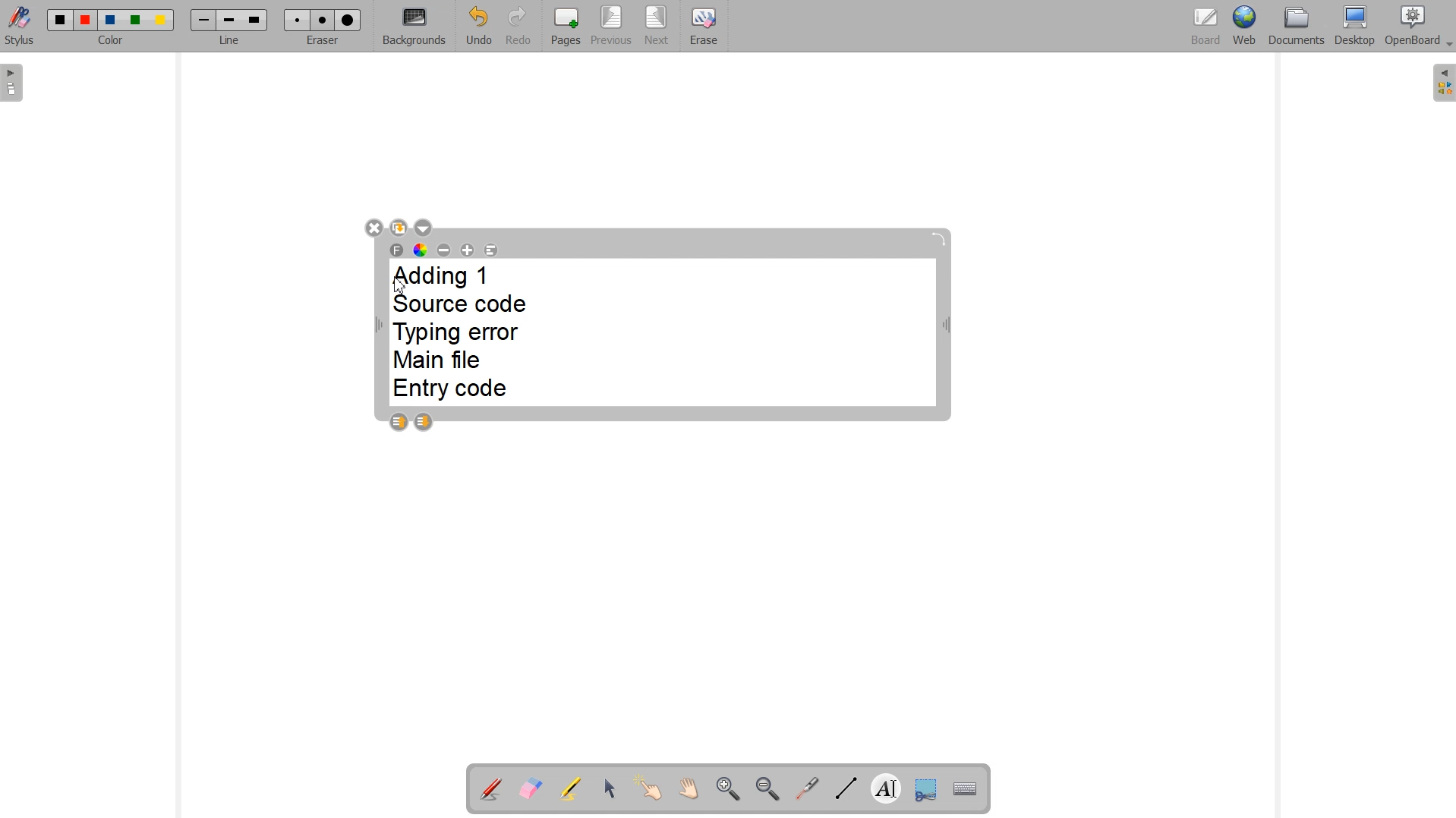 Image resolution: width=1456 pixels, height=818 pixels. I want to click on Write text, so click(886, 786).